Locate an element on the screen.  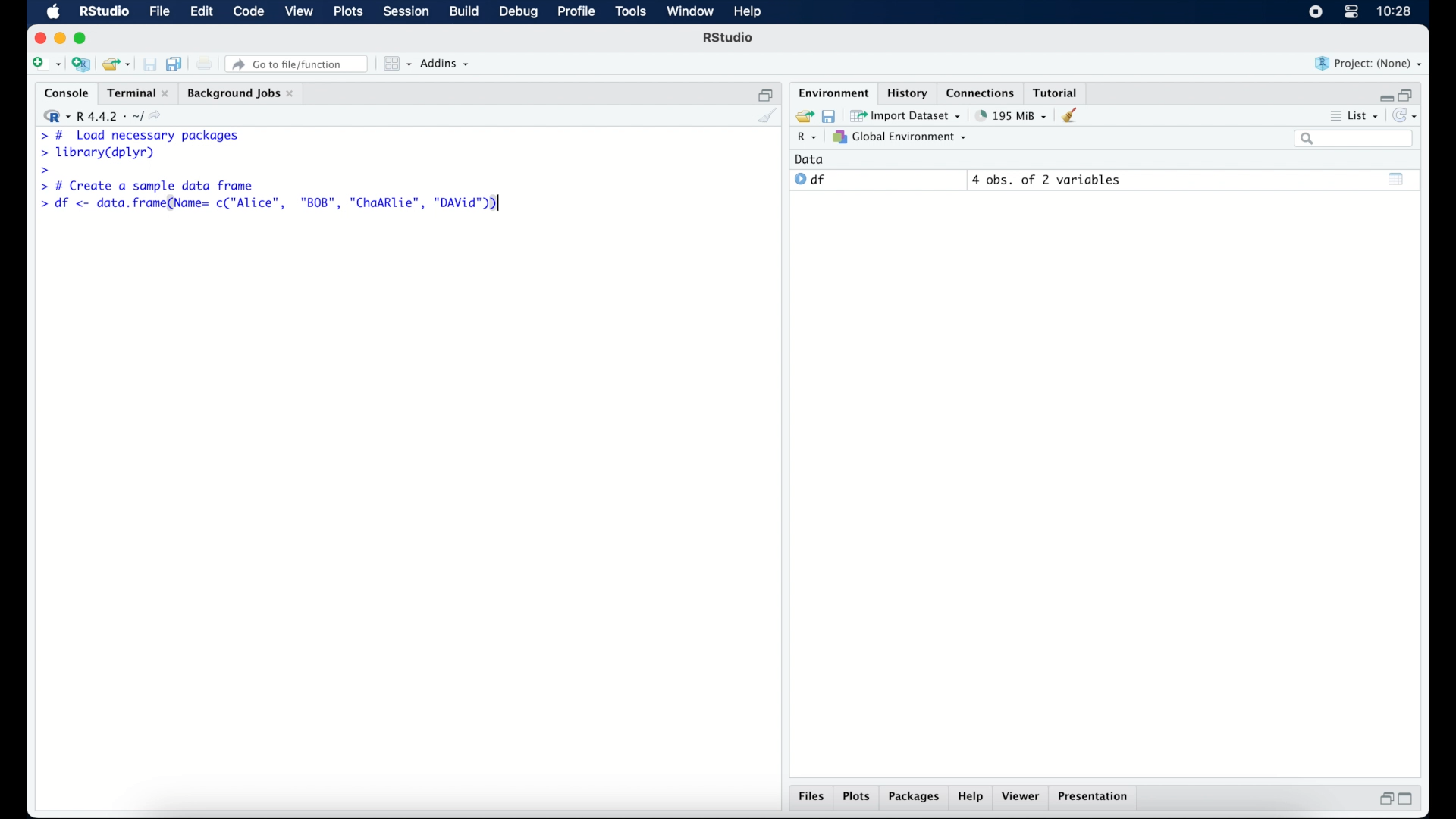
viewer is located at coordinates (1024, 798).